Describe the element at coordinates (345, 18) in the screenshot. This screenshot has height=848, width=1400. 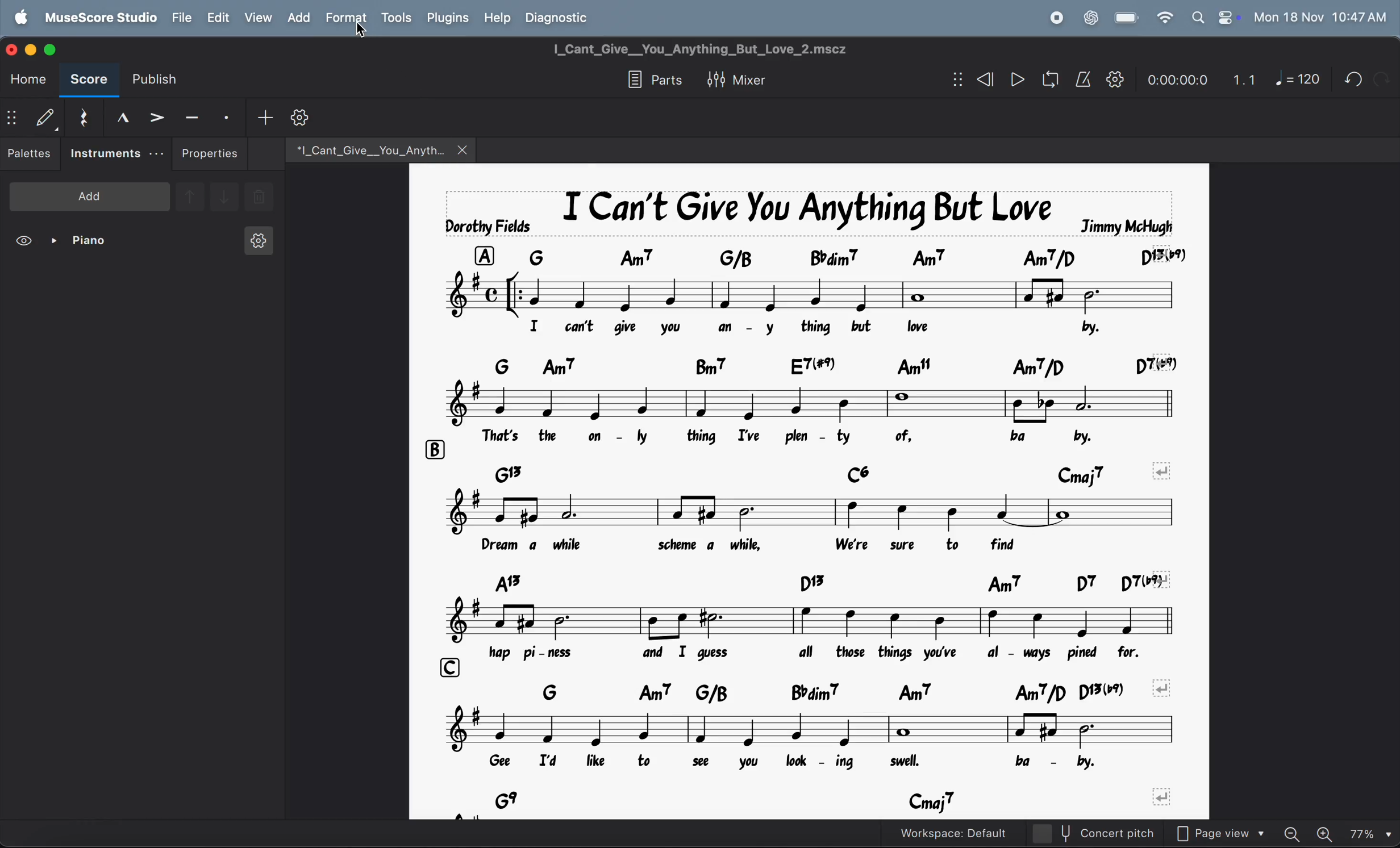
I see `format` at that location.